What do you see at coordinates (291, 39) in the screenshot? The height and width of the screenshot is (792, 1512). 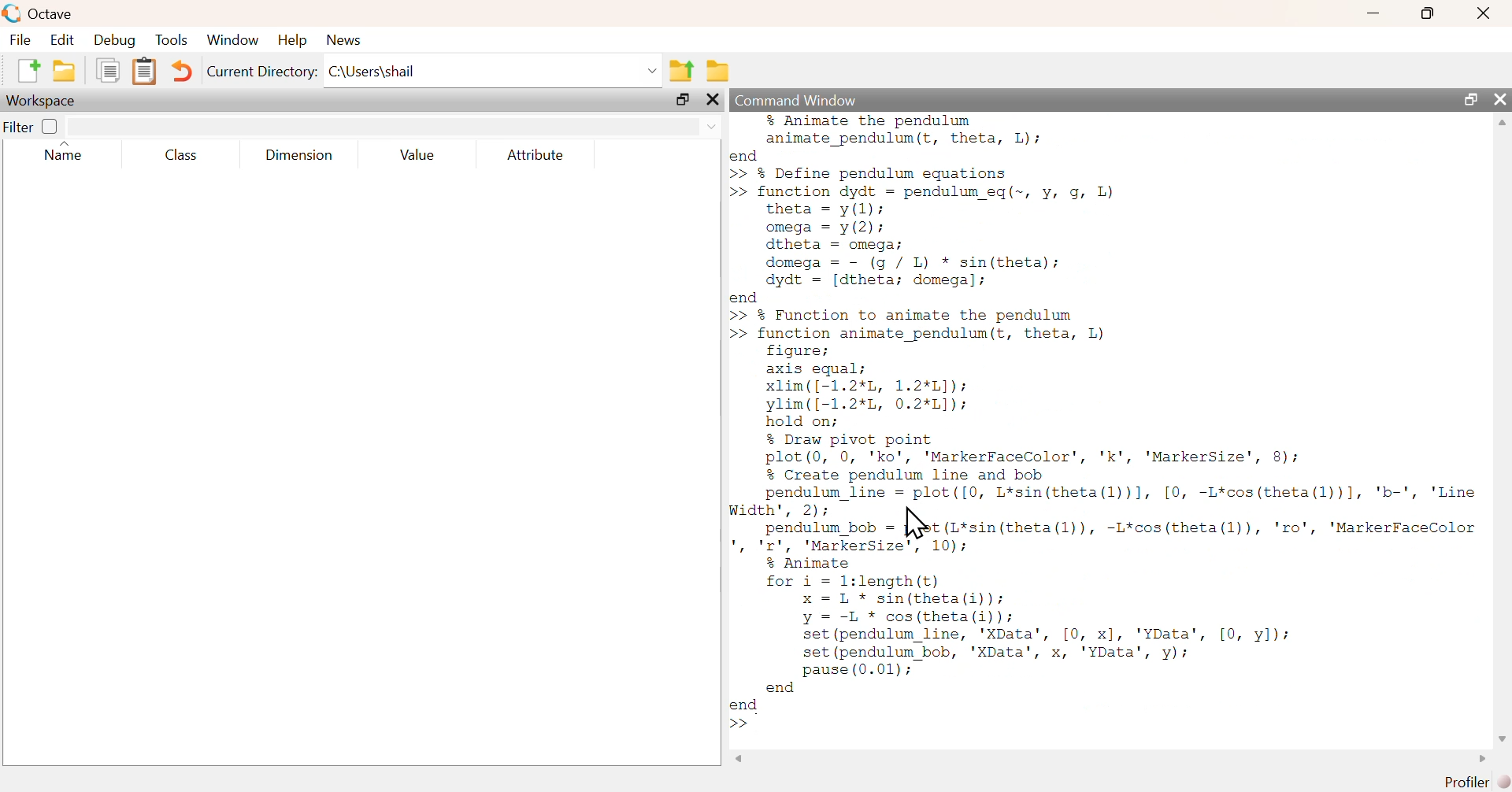 I see `Help` at bounding box center [291, 39].